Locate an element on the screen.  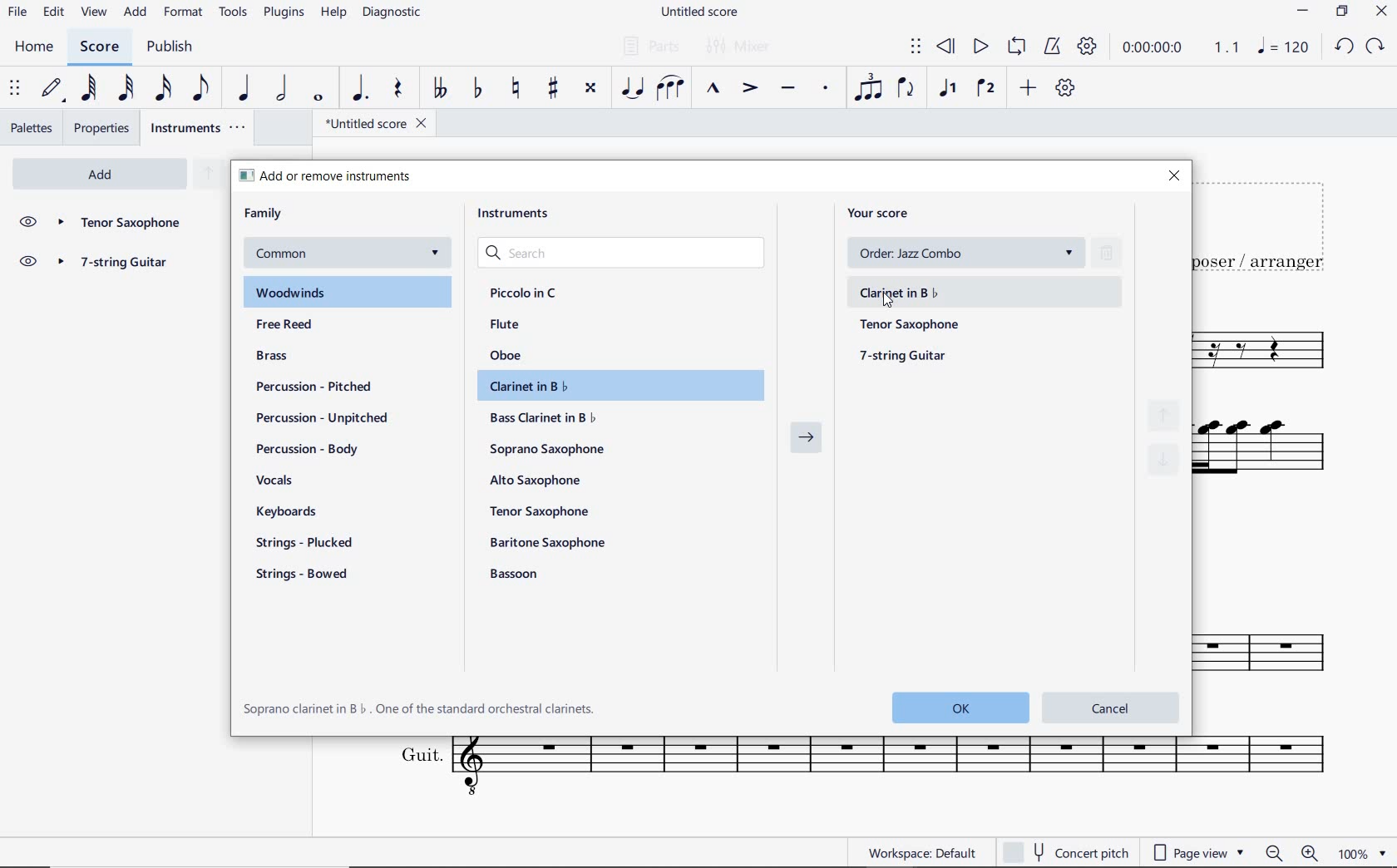
TIE is located at coordinates (632, 86).